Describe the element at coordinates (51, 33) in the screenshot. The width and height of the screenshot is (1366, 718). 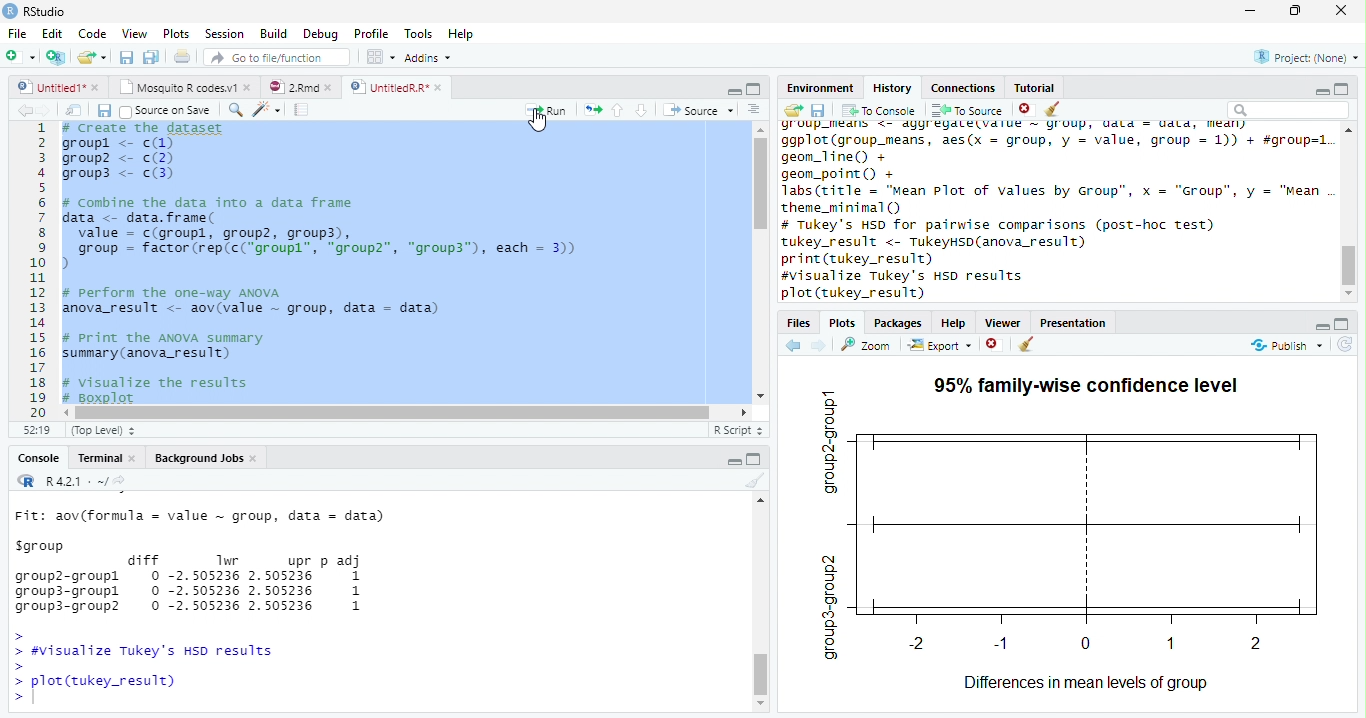
I see `Edit` at that location.